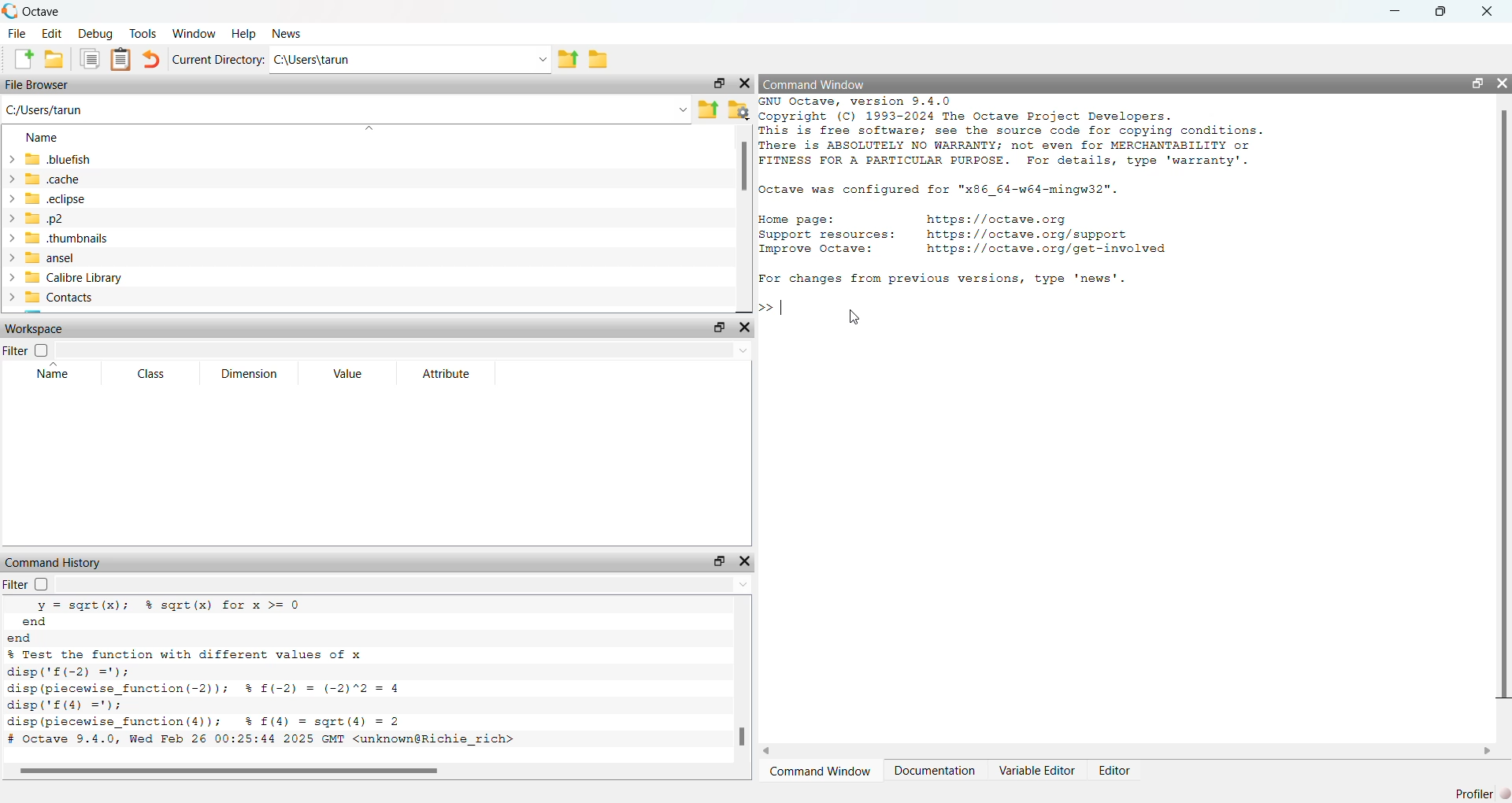 The height and width of the screenshot is (803, 1512). I want to click on Command window, so click(823, 772).